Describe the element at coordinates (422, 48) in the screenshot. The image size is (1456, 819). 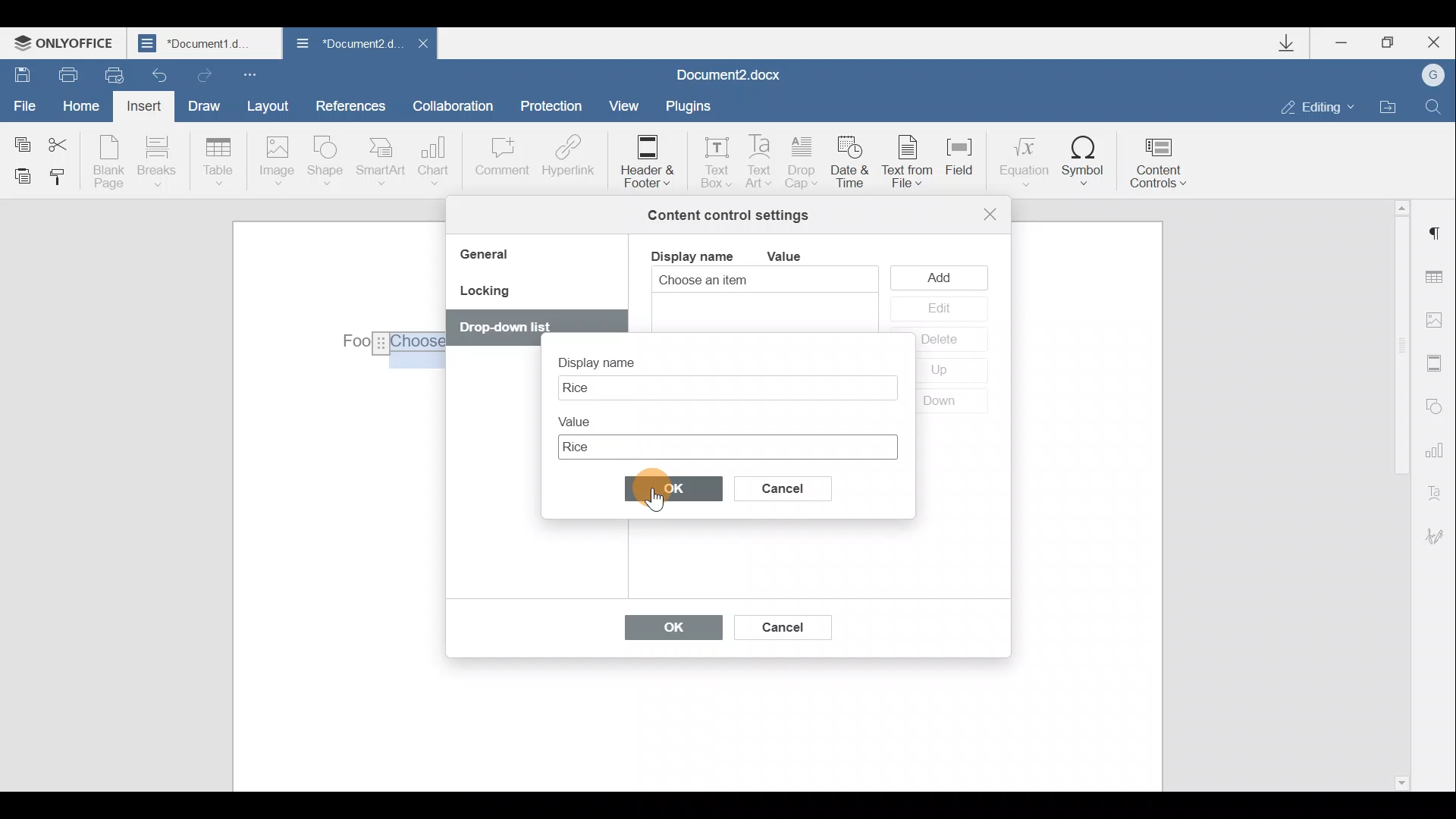
I see `Close` at that location.